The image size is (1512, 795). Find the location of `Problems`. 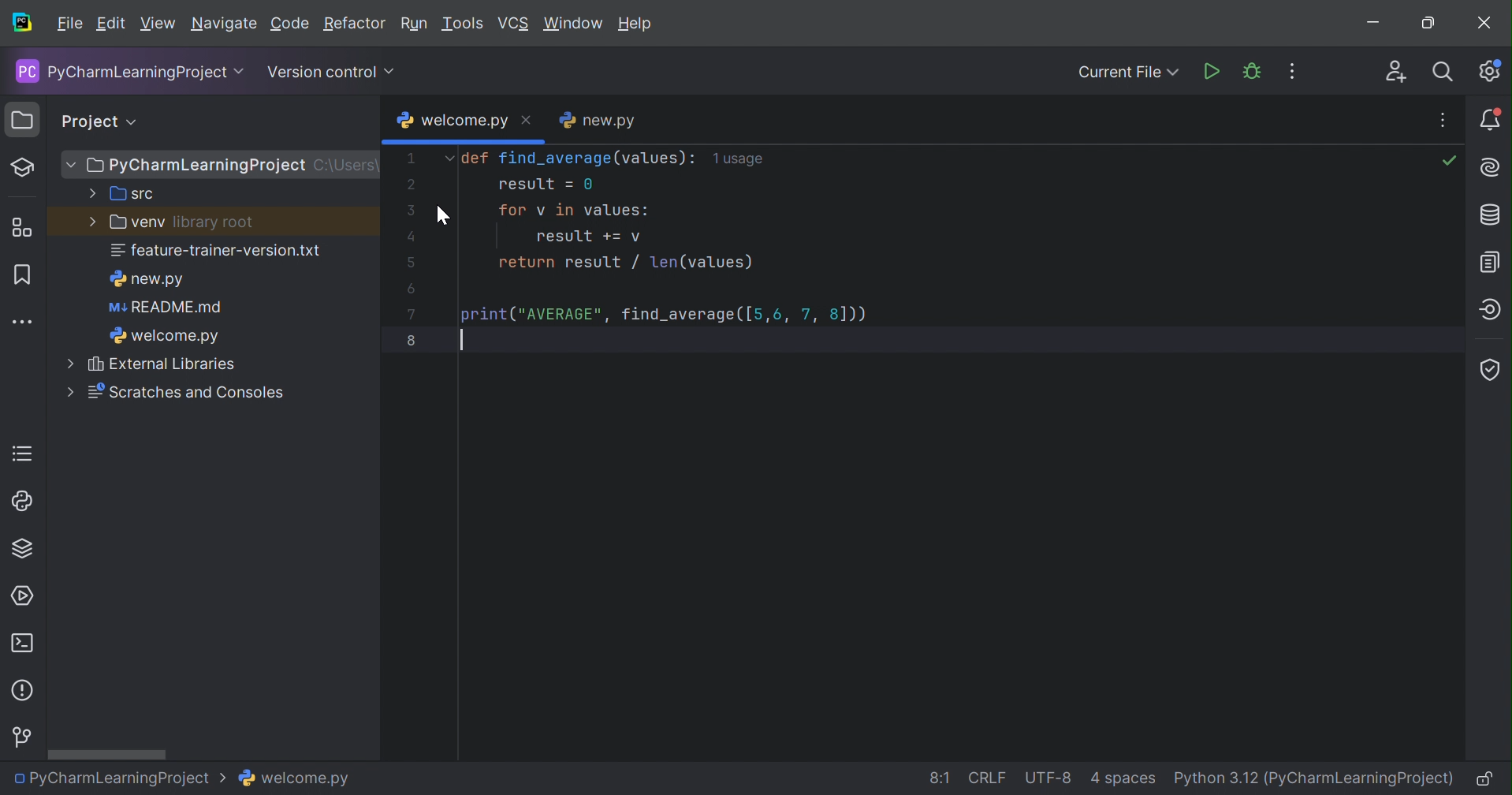

Problems is located at coordinates (24, 691).